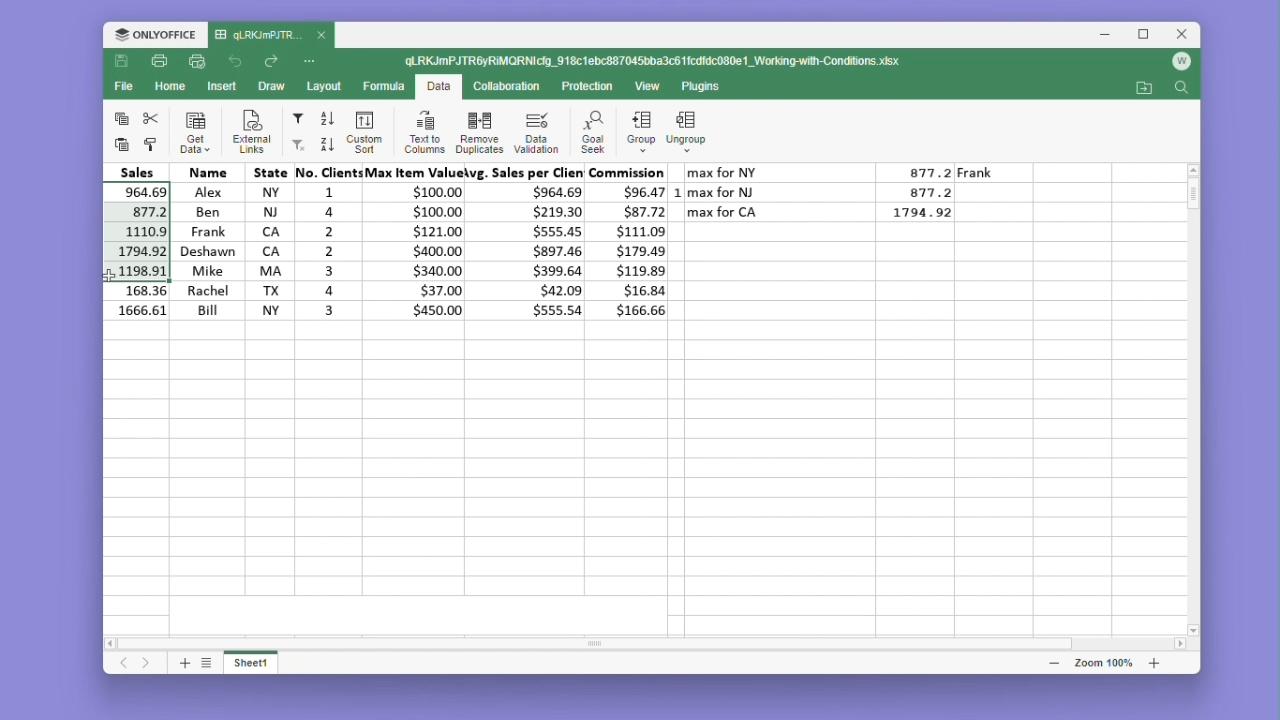 The width and height of the screenshot is (1280, 720). What do you see at coordinates (148, 664) in the screenshot?
I see `next sheet` at bounding box center [148, 664].